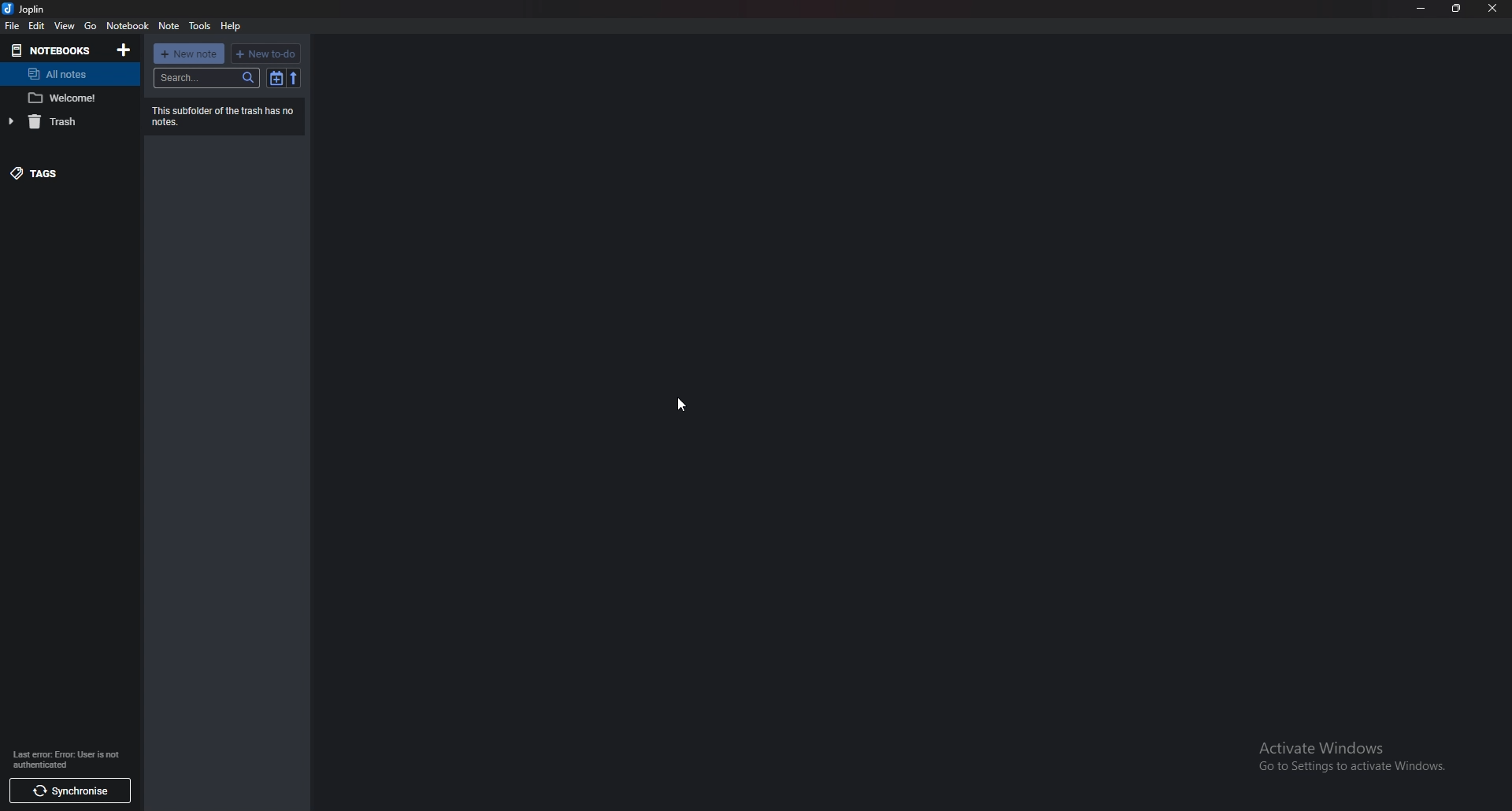 Image resolution: width=1512 pixels, height=811 pixels. I want to click on Tools, so click(198, 26).